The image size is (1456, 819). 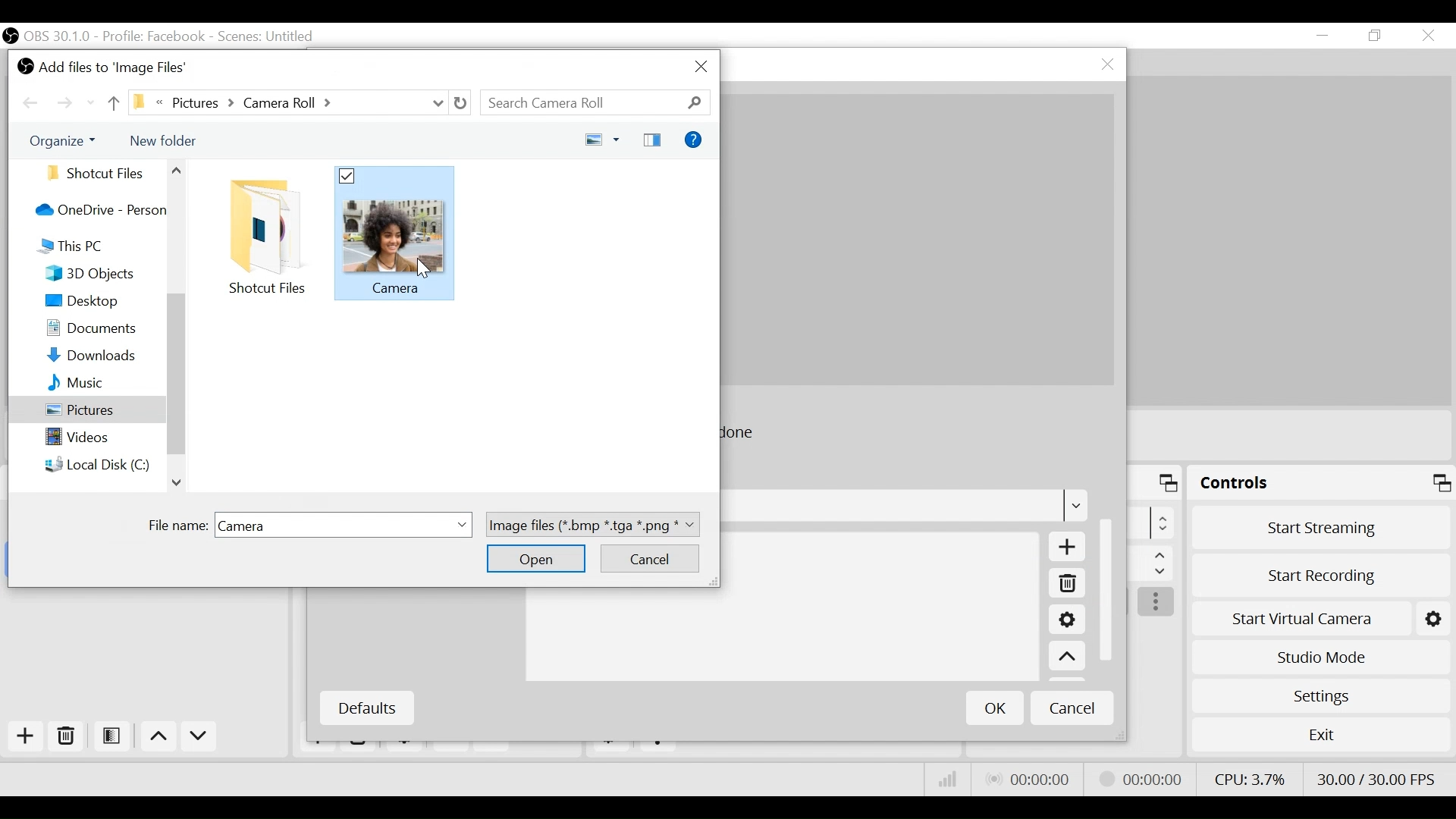 I want to click on New Folder, so click(x=162, y=140).